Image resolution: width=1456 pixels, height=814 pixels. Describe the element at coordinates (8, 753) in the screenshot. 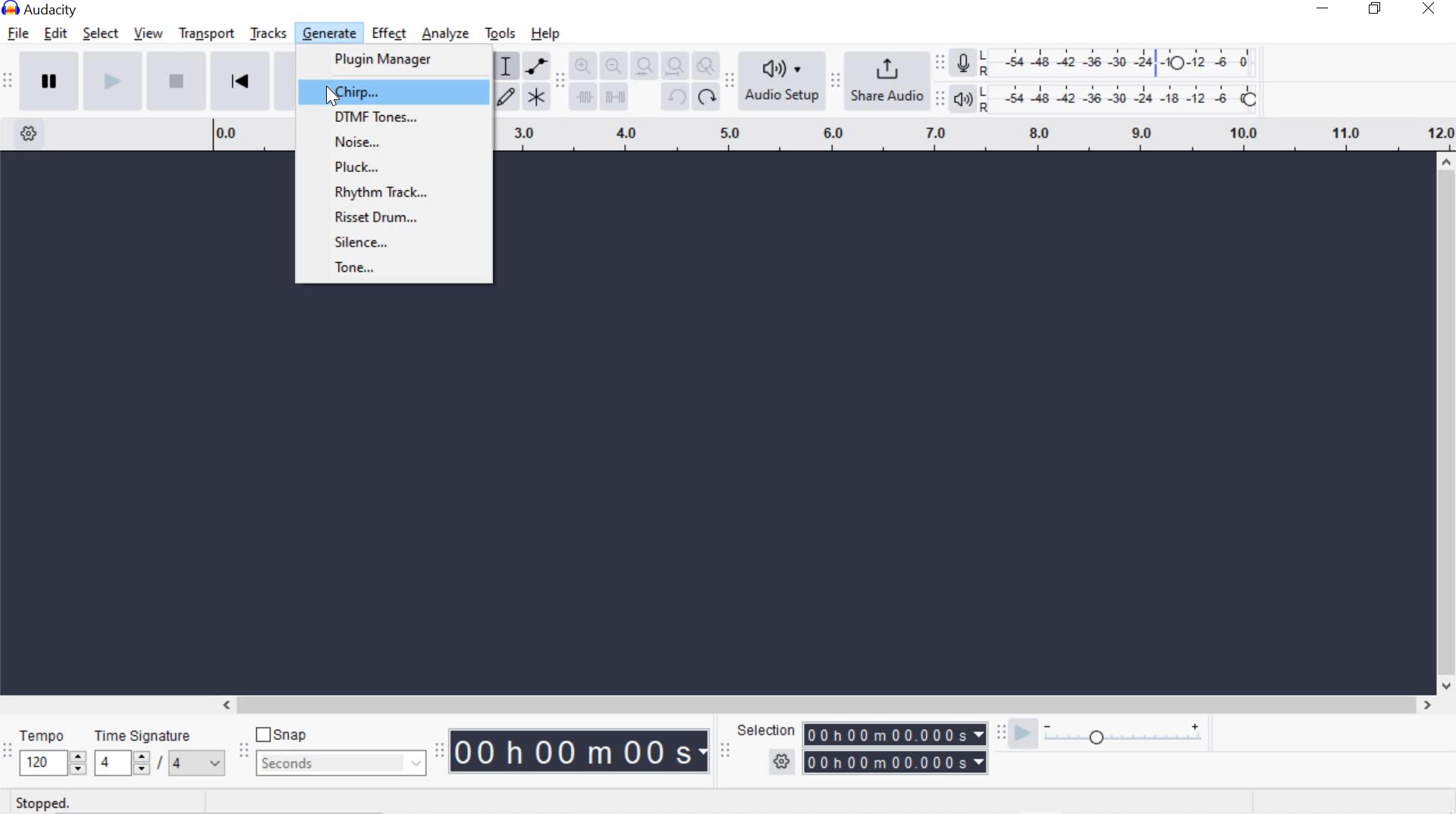

I see `Time signature toolbar` at that location.